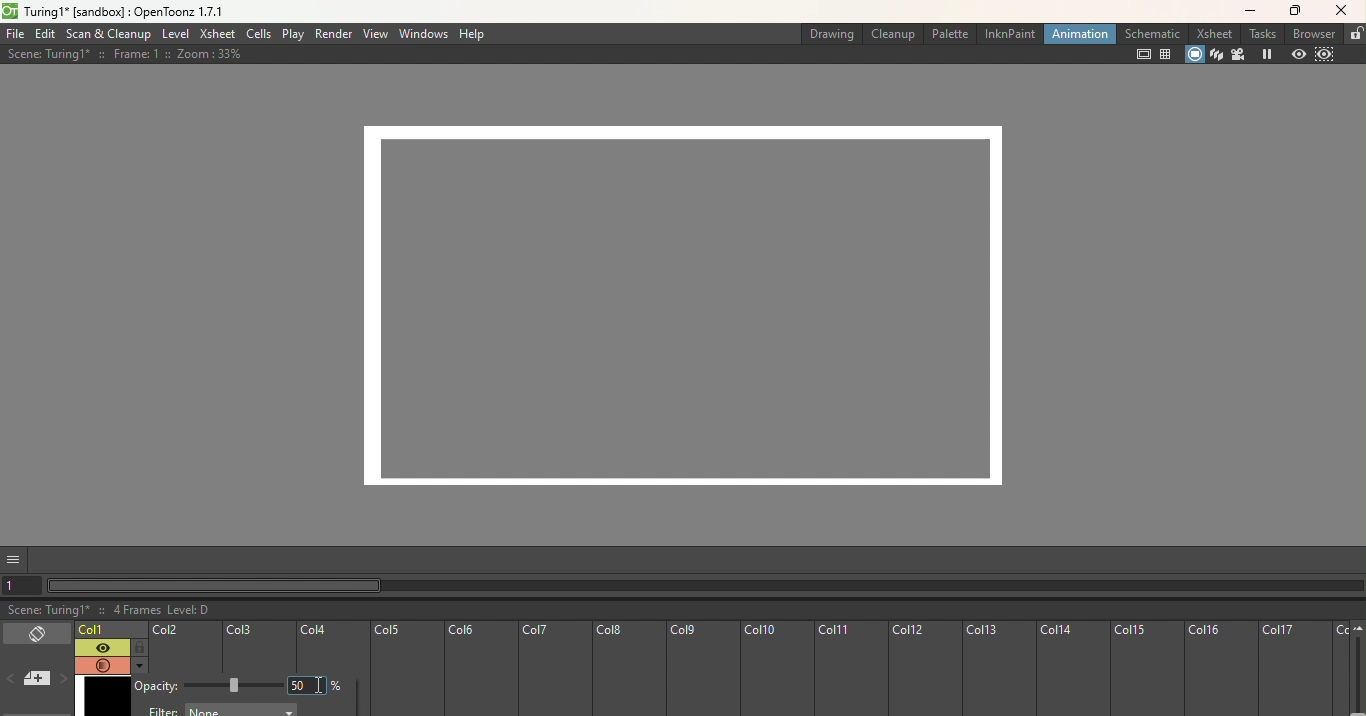  Describe the element at coordinates (1354, 32) in the screenshot. I see `lock rooms tab` at that location.